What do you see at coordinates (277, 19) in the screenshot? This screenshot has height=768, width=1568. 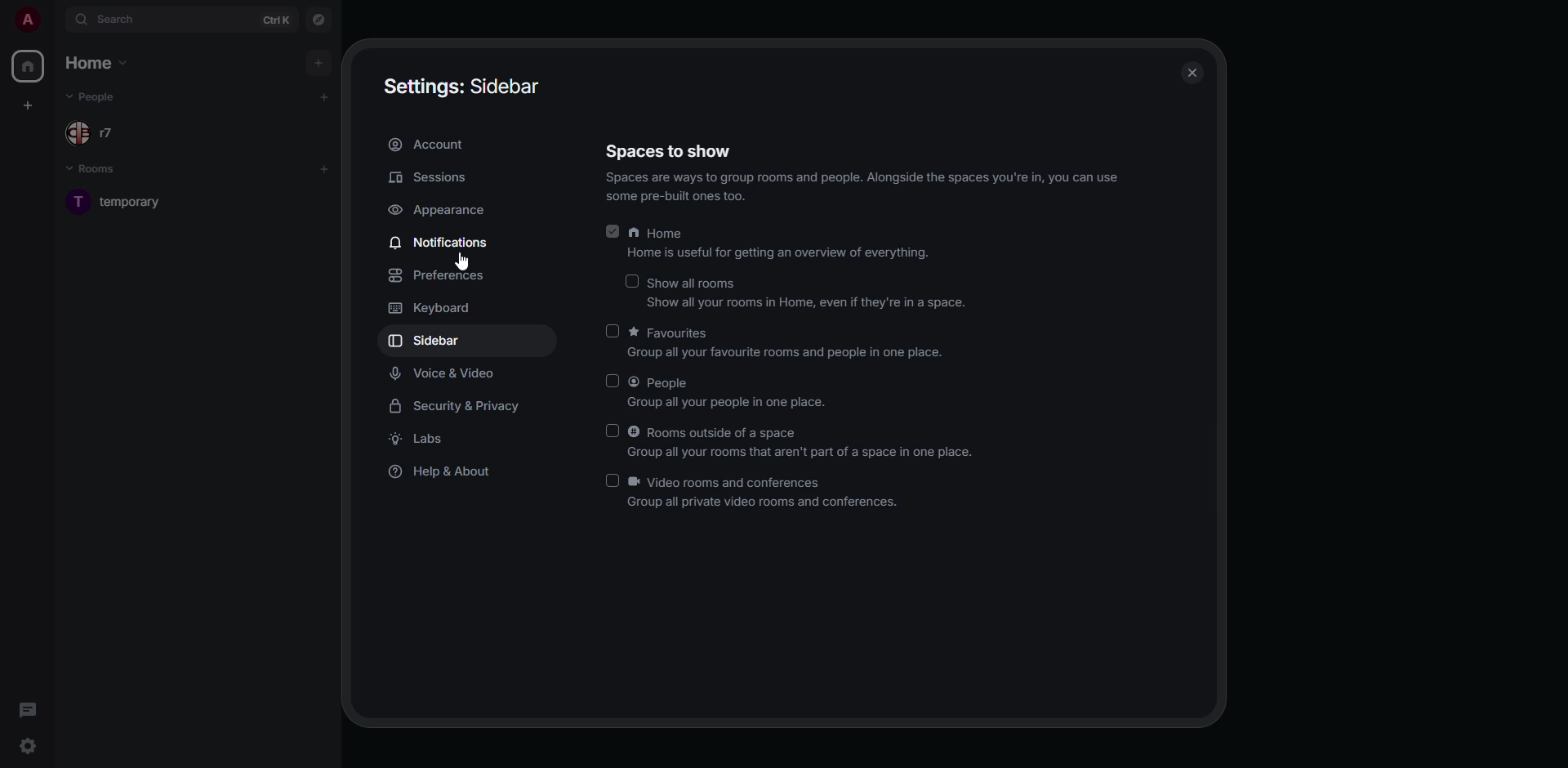 I see `ctrl K` at bounding box center [277, 19].